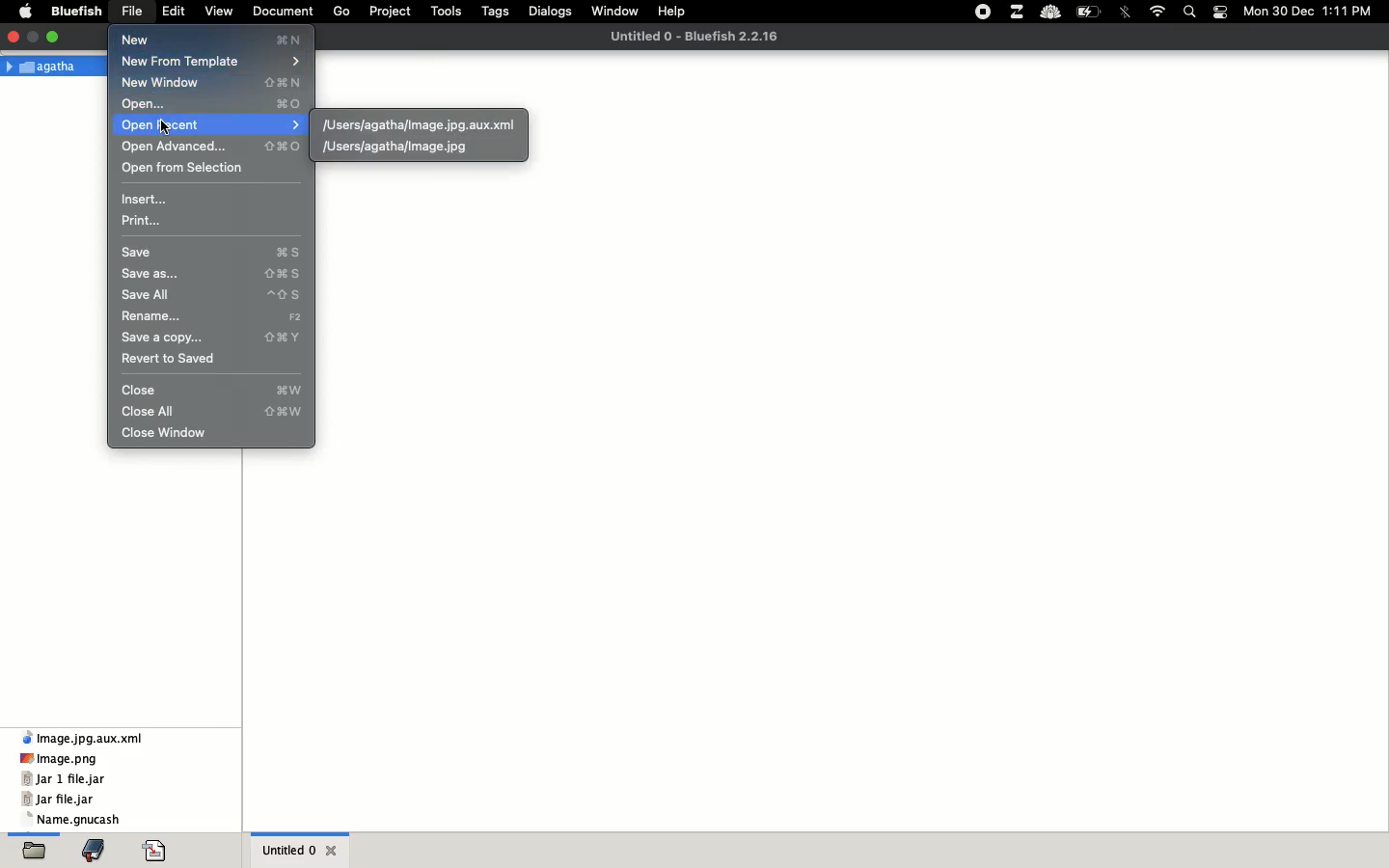 The height and width of the screenshot is (868, 1389). Describe the element at coordinates (618, 9) in the screenshot. I see `window` at that location.